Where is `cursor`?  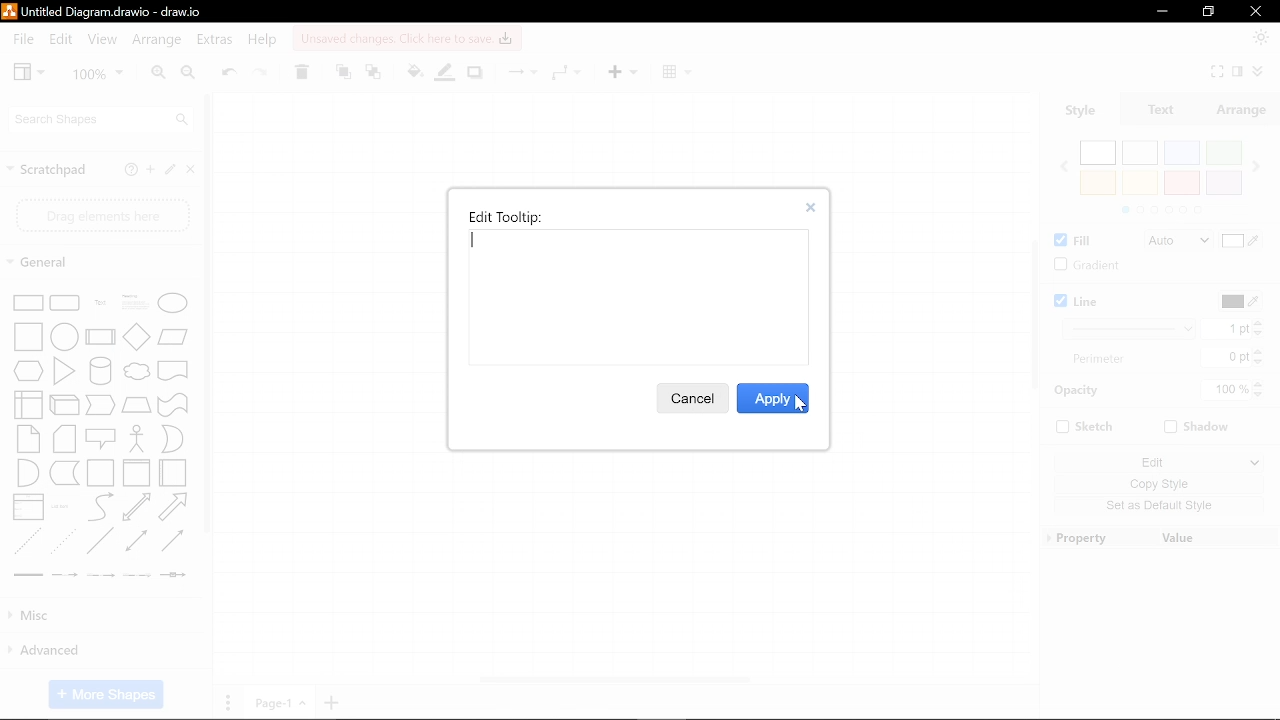
cursor is located at coordinates (801, 405).